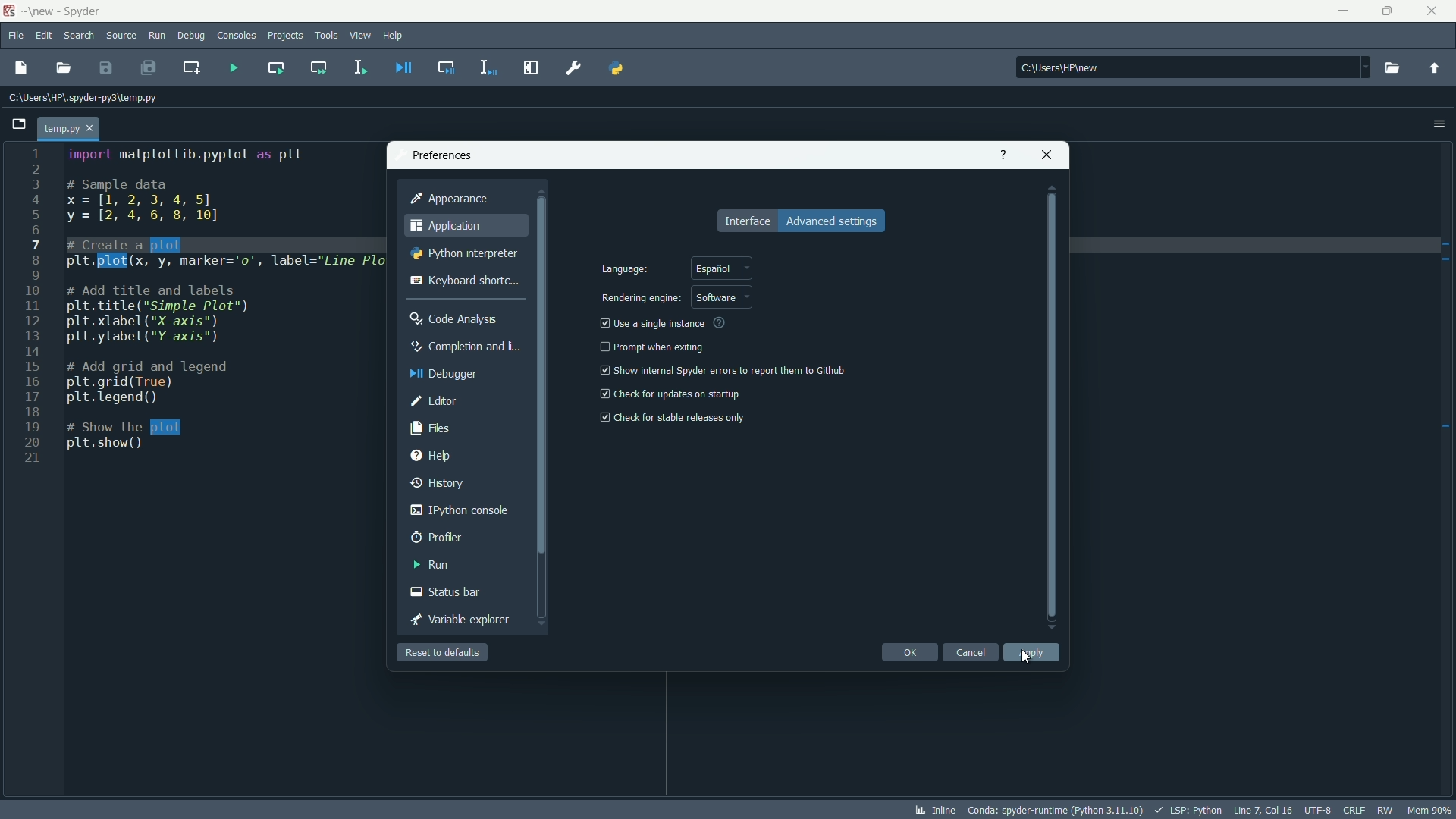 Image resolution: width=1456 pixels, height=819 pixels. Describe the element at coordinates (1344, 11) in the screenshot. I see `minimize` at that location.